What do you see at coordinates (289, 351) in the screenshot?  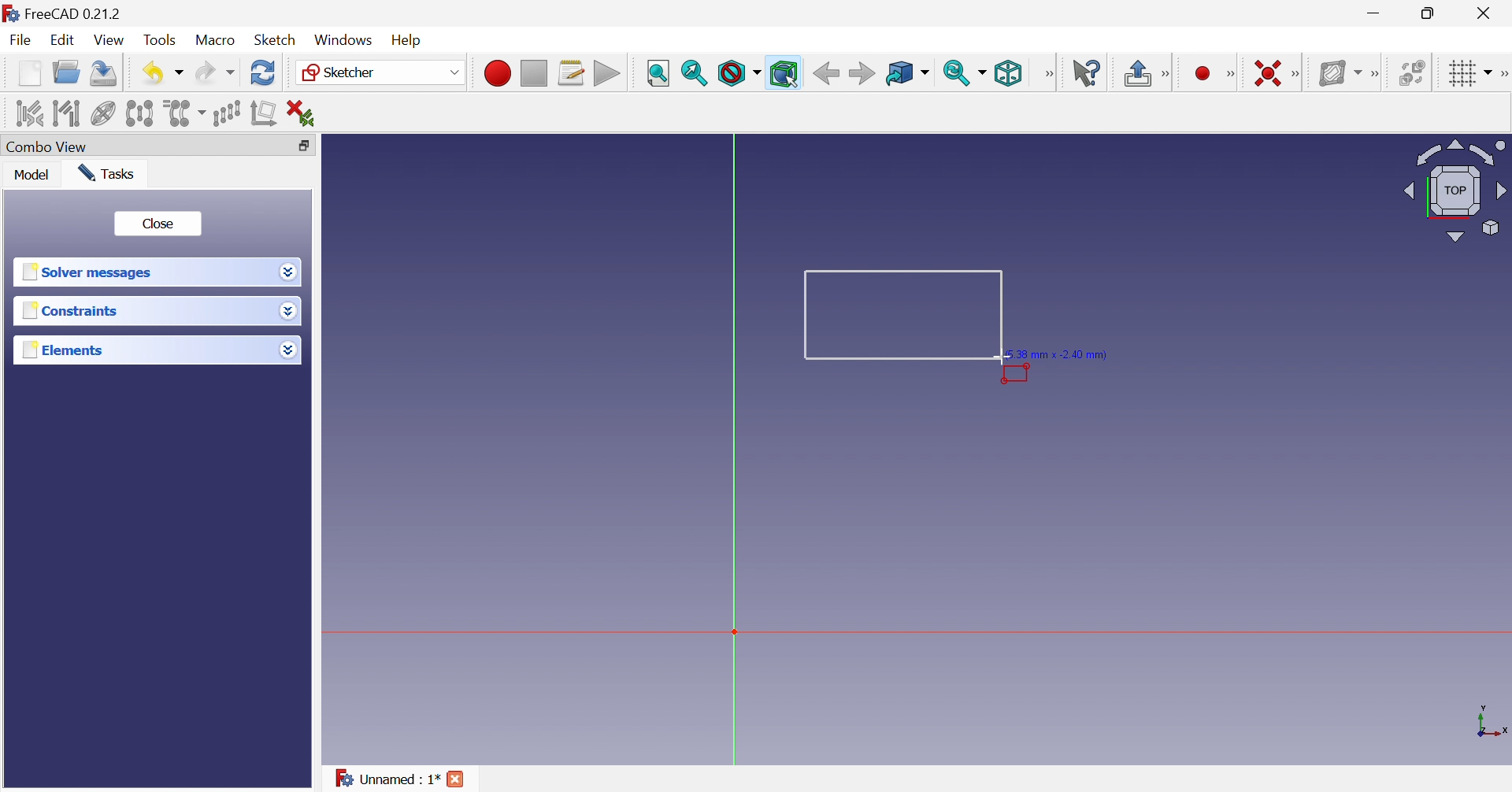 I see `Drop down` at bounding box center [289, 351].